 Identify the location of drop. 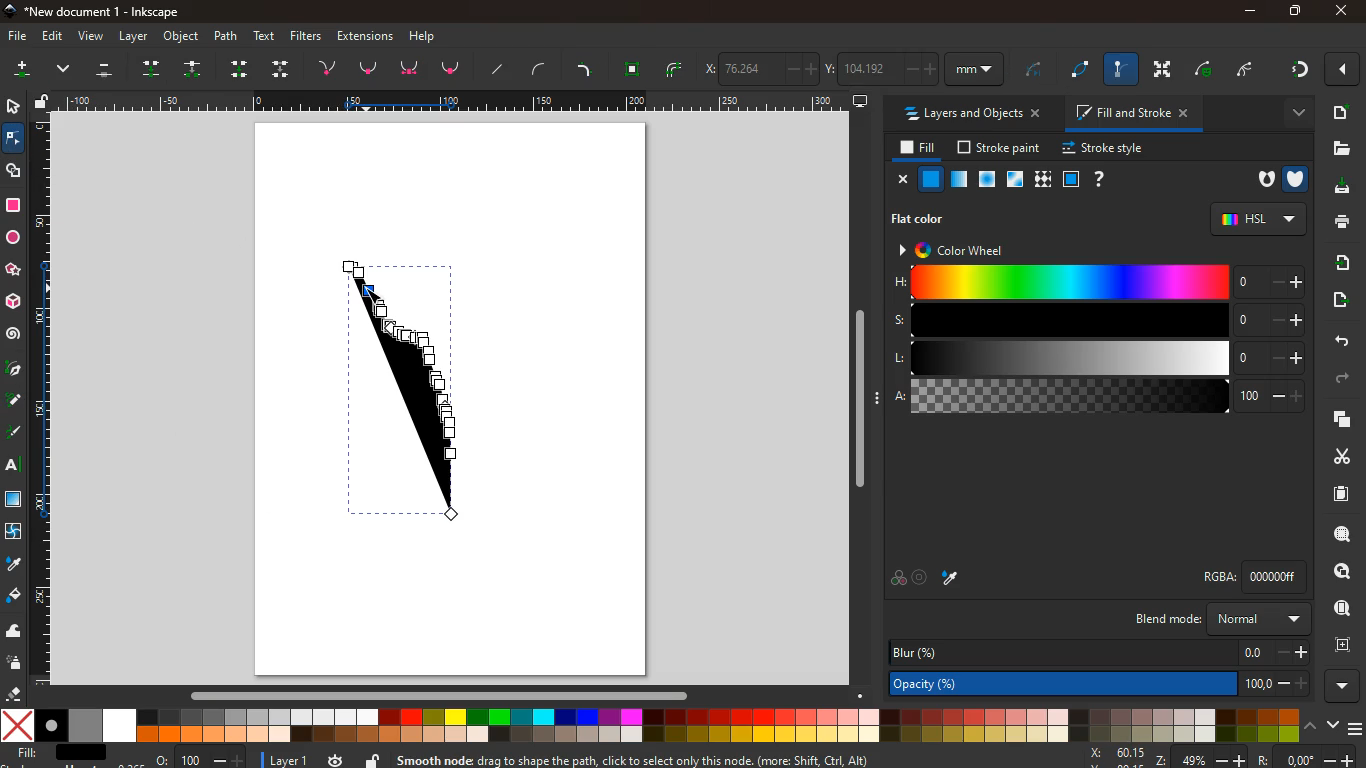
(12, 564).